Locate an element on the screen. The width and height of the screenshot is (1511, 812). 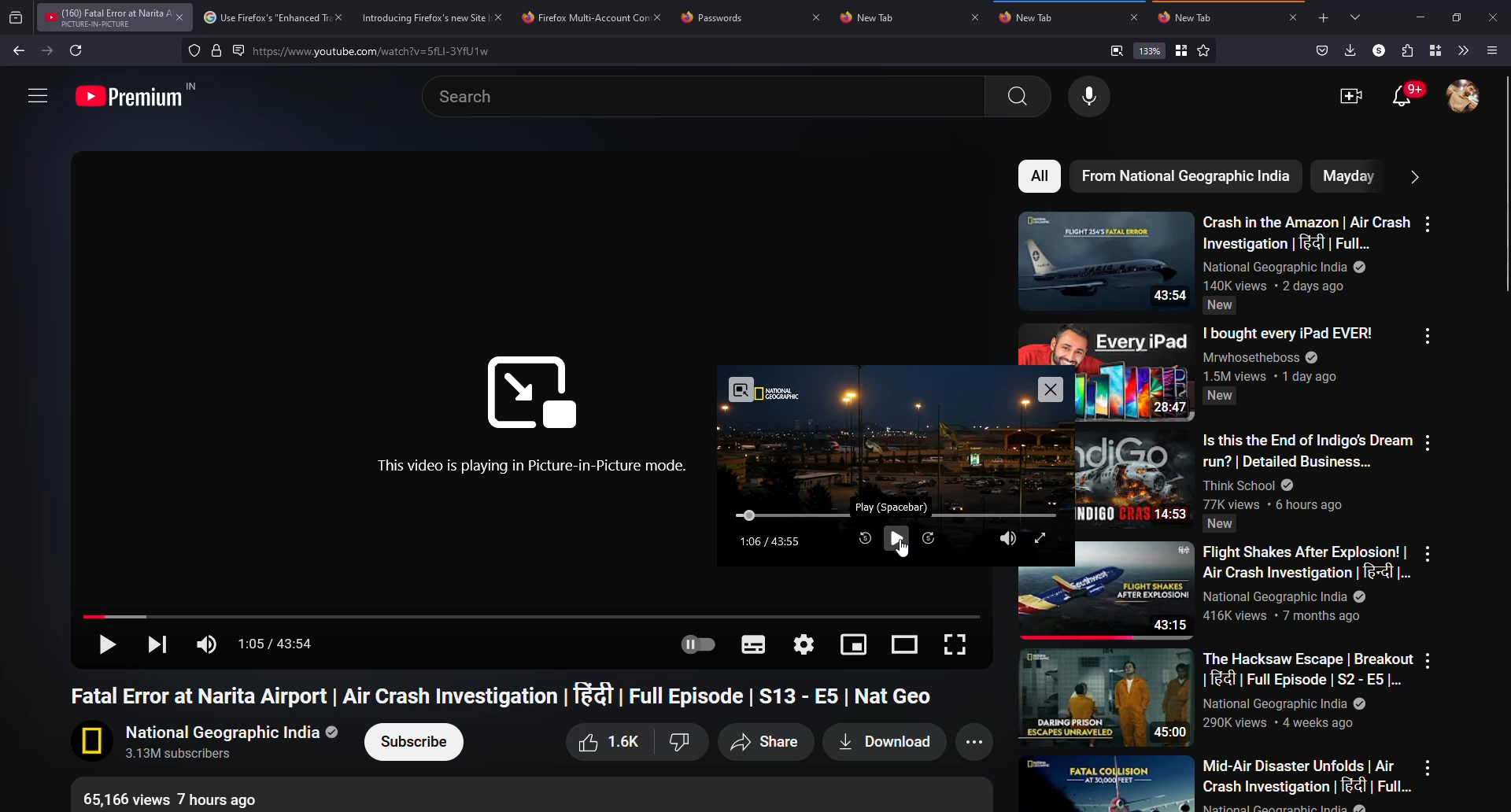
video text description is located at coordinates (1306, 583).